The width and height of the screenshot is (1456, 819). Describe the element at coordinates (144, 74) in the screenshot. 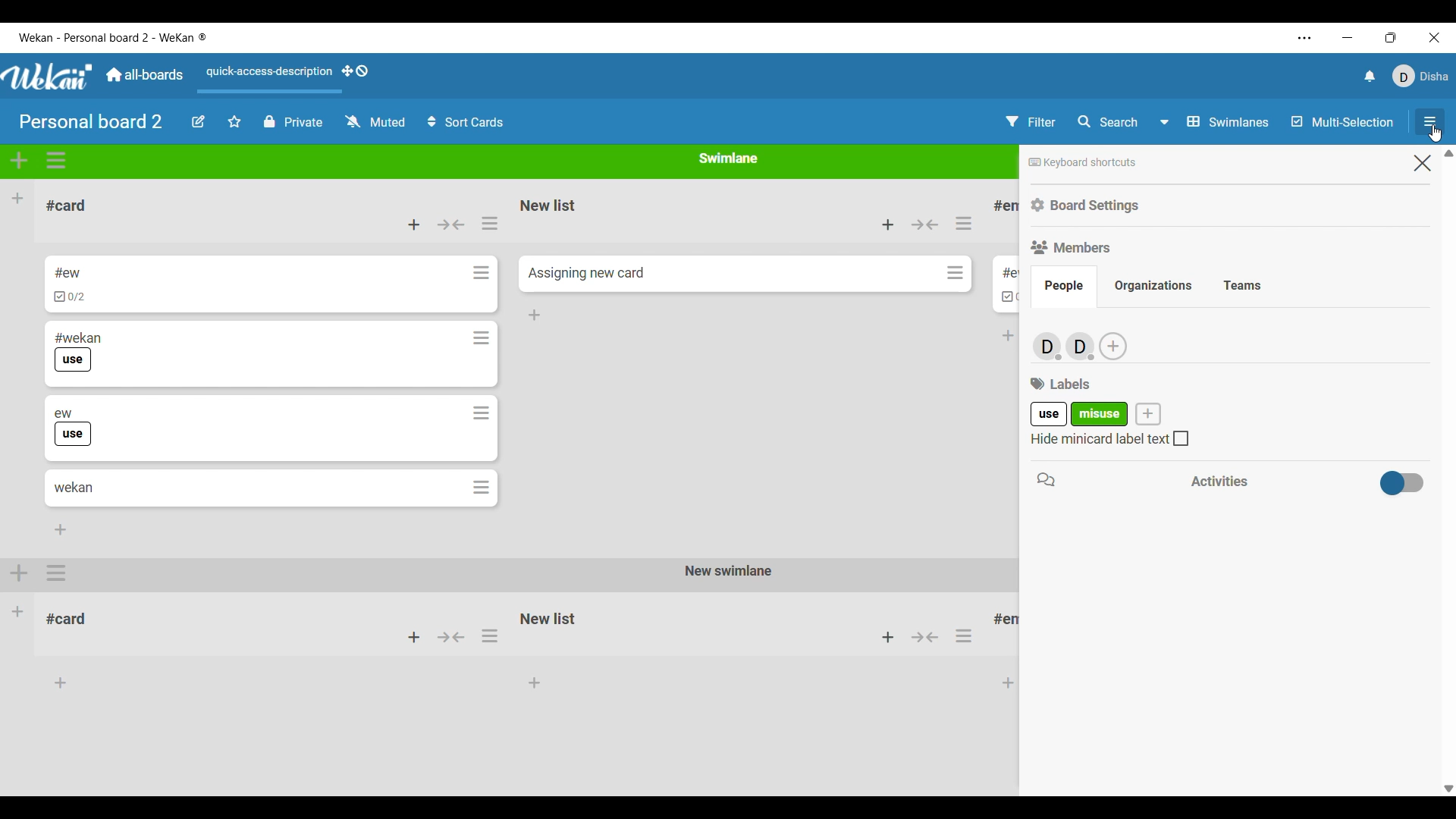

I see `Main dashboard` at that location.